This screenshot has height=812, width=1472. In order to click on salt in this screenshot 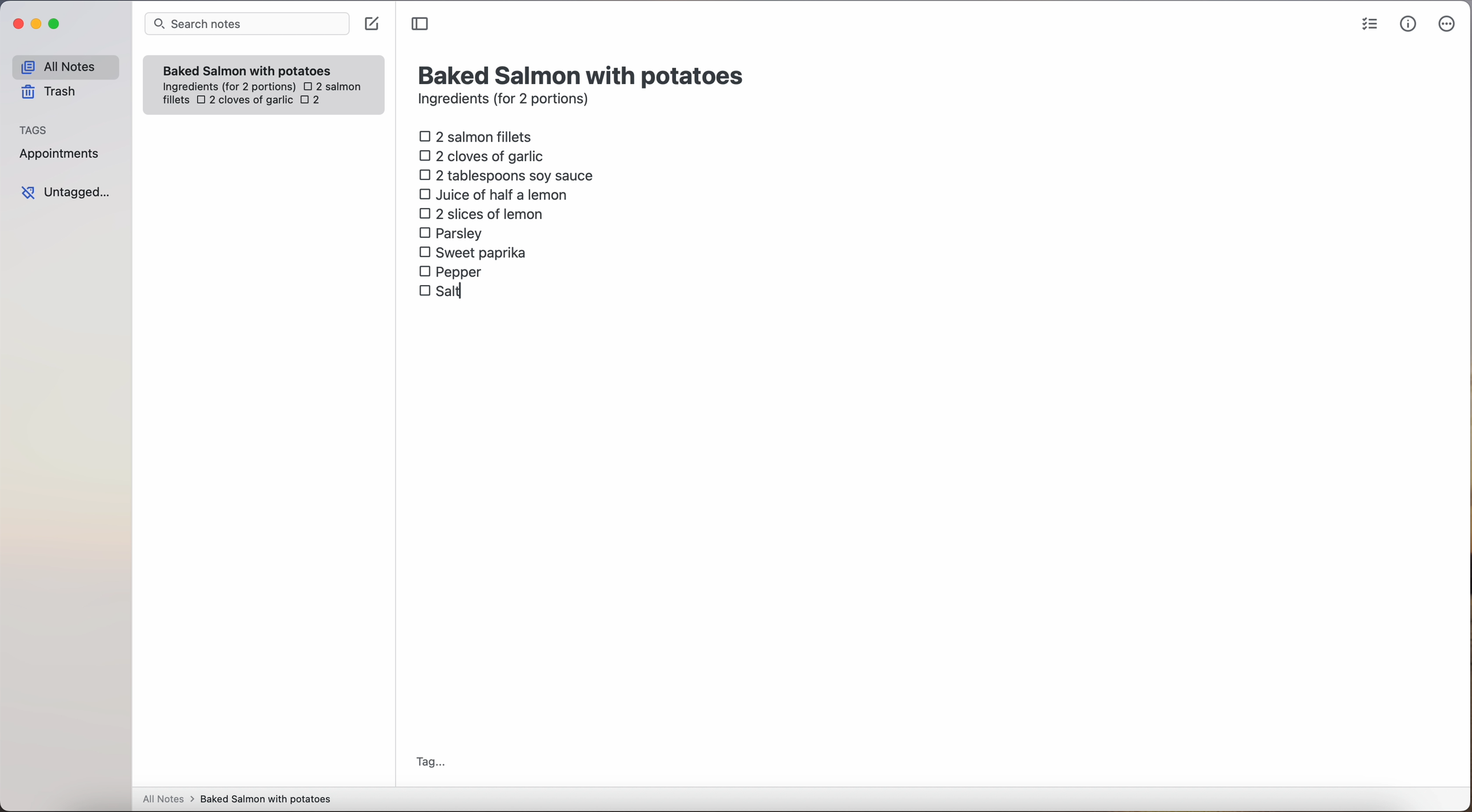, I will do `click(442, 293)`.